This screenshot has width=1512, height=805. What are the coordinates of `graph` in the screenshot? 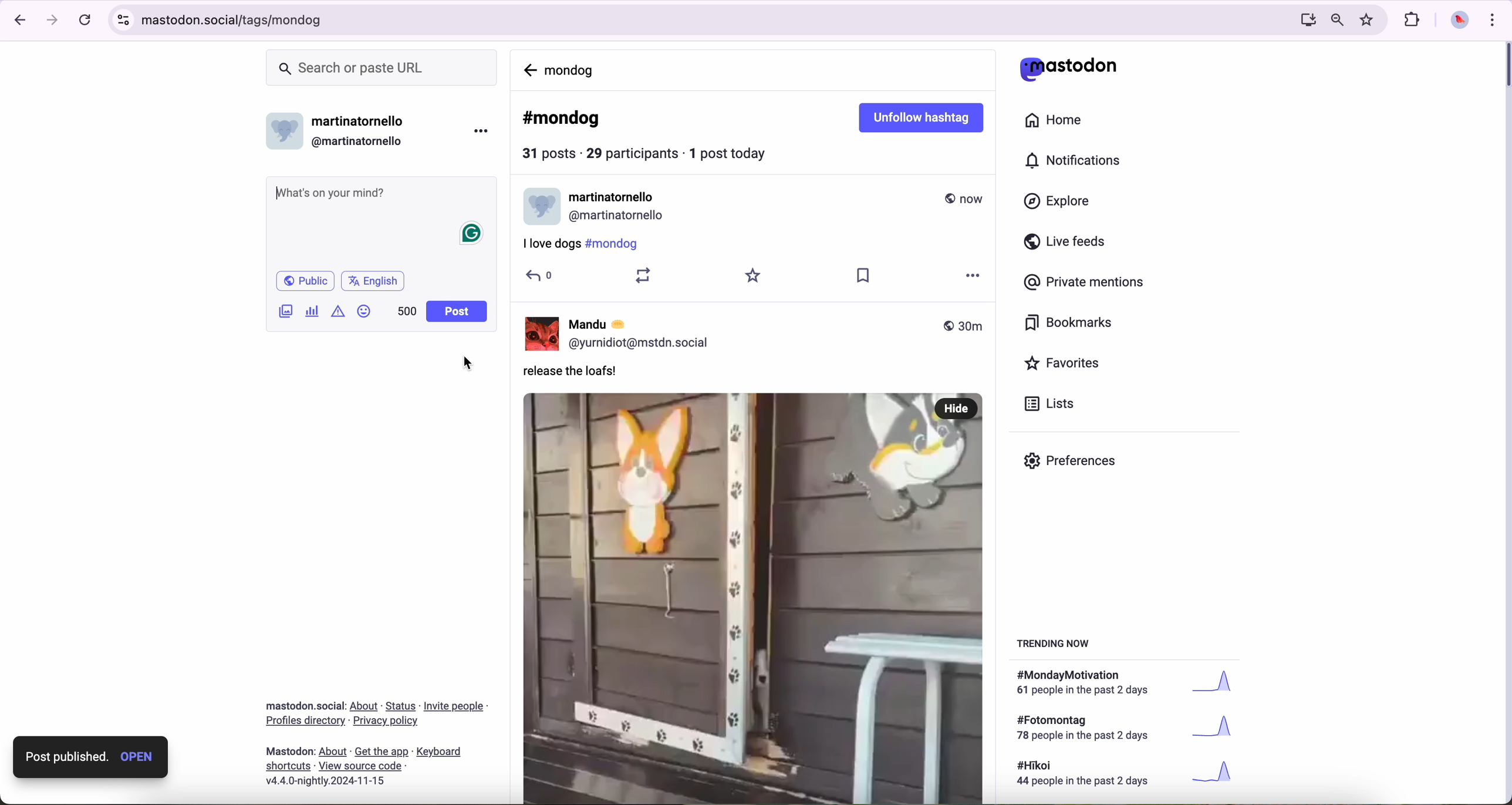 It's located at (1219, 730).